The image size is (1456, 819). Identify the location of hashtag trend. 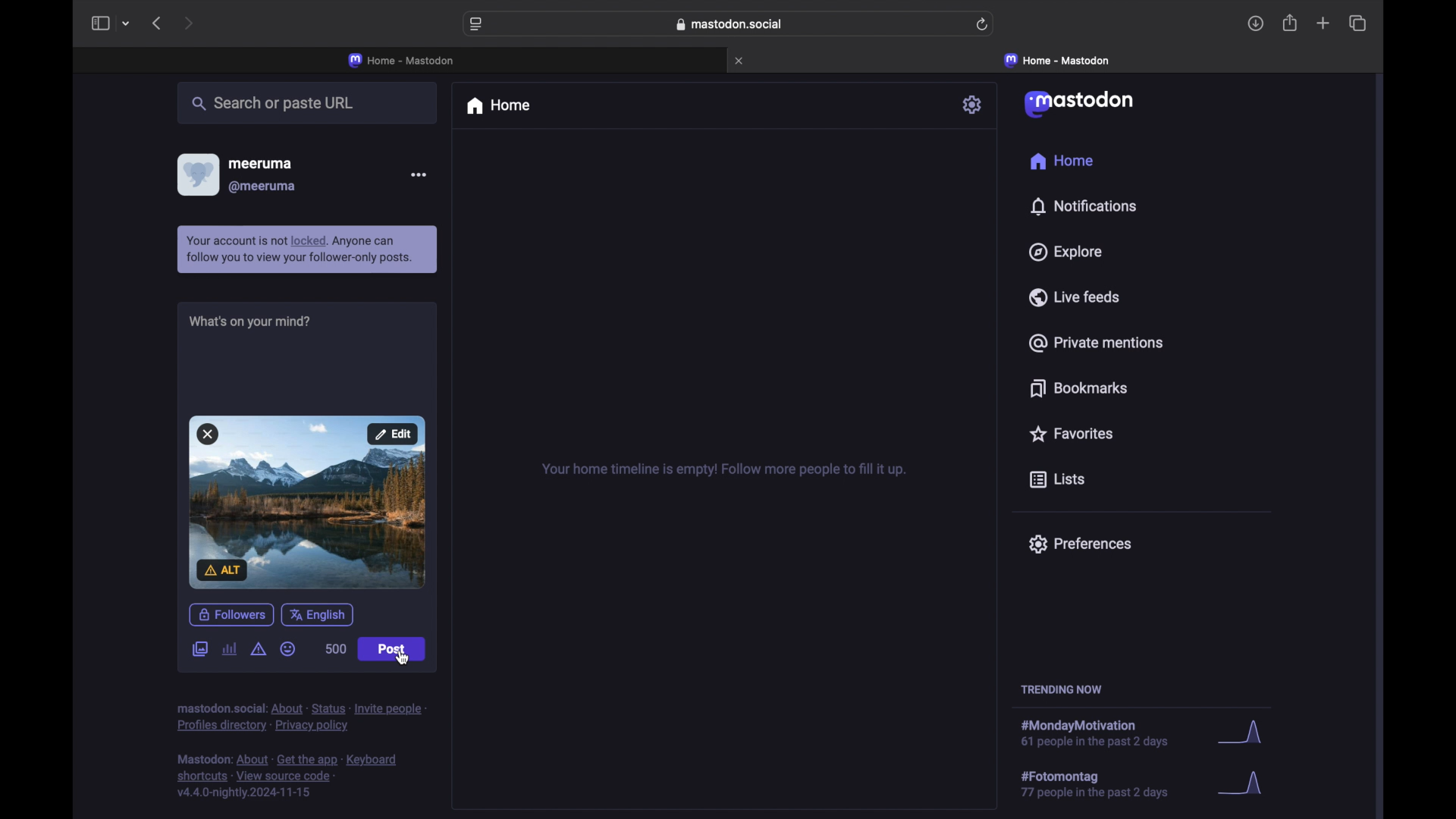
(1105, 785).